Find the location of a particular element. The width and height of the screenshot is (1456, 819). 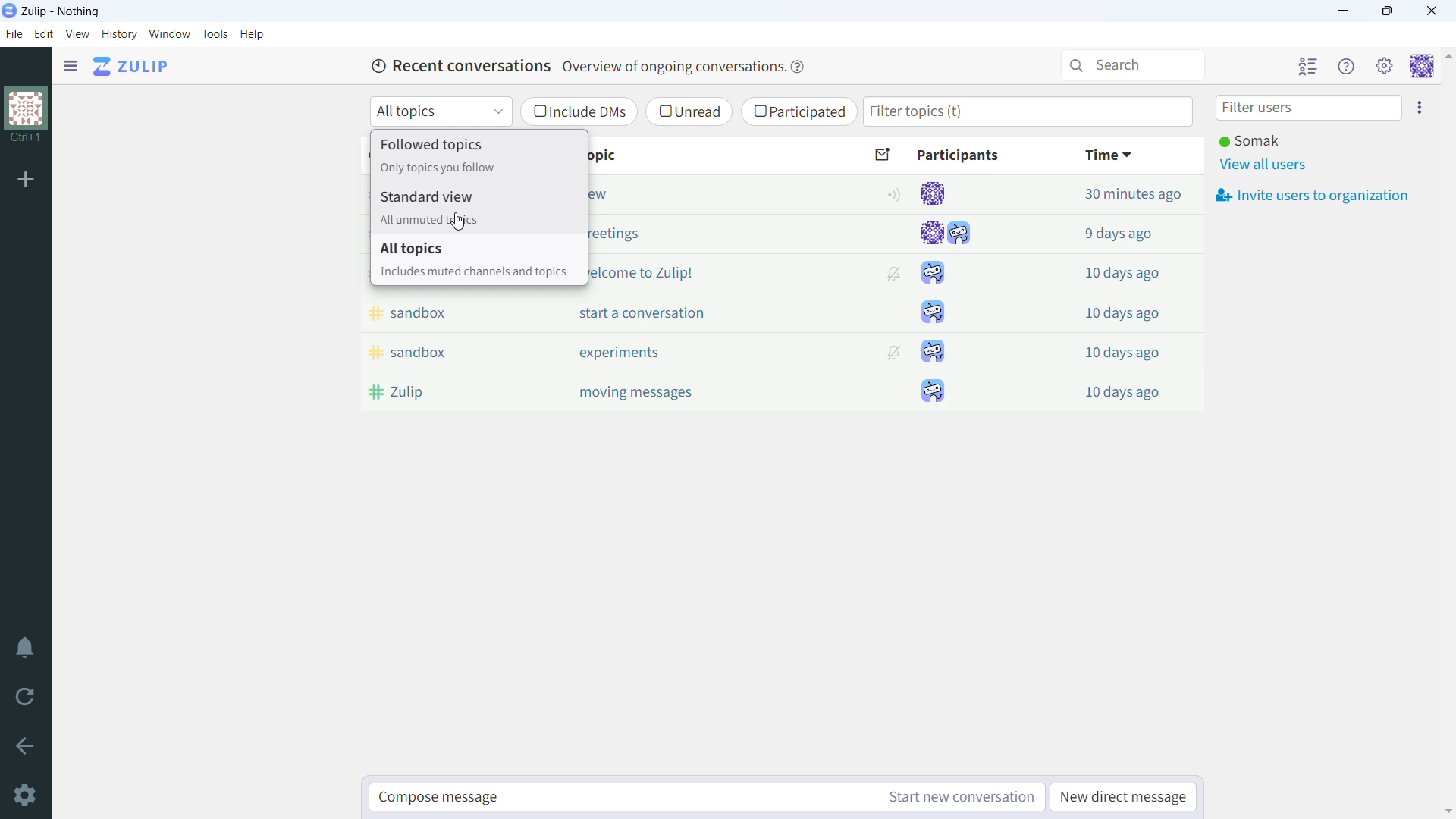

scroll up is located at coordinates (1447, 55).